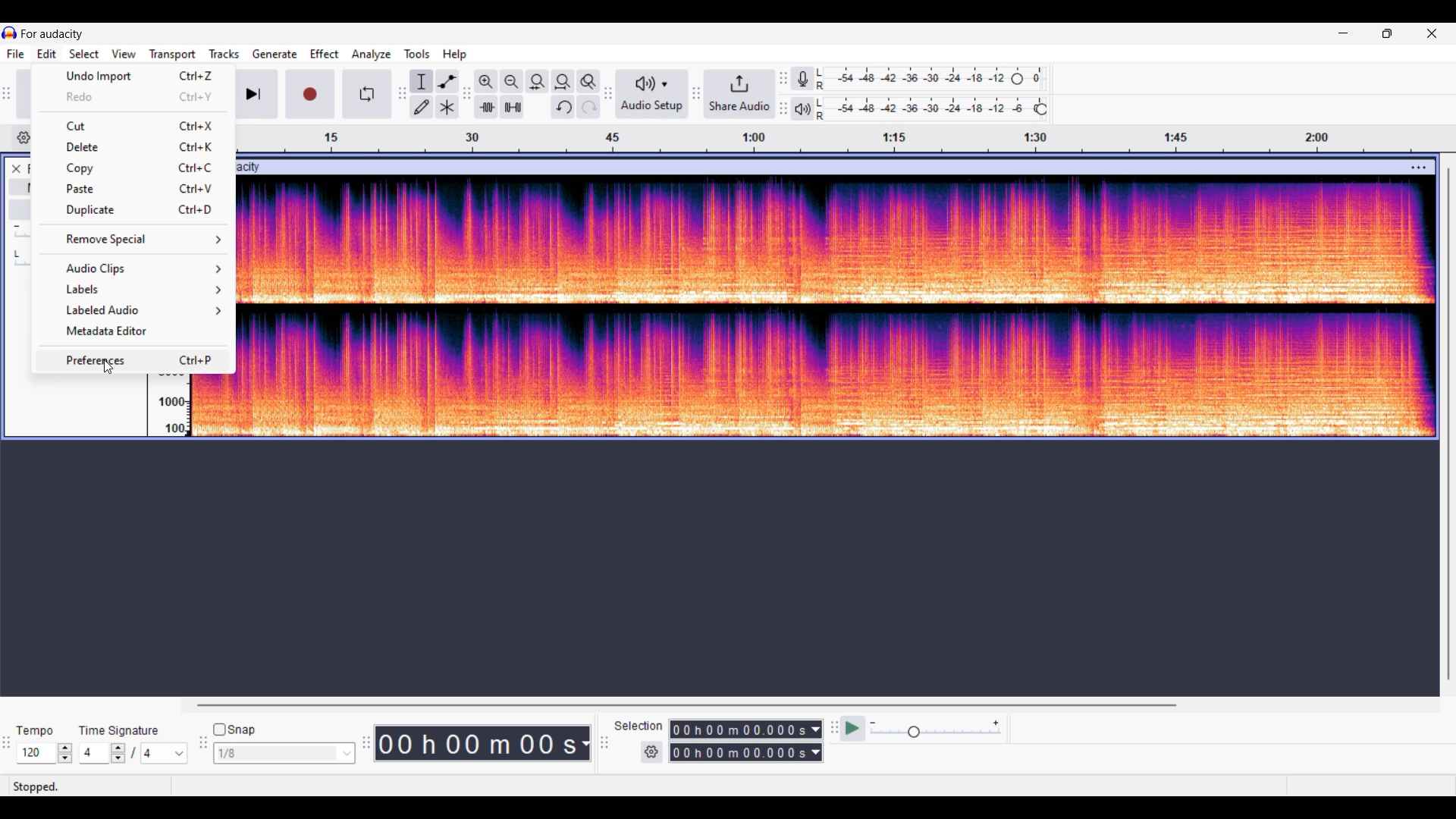 Image resolution: width=1456 pixels, height=819 pixels. I want to click on Delete, so click(135, 146).